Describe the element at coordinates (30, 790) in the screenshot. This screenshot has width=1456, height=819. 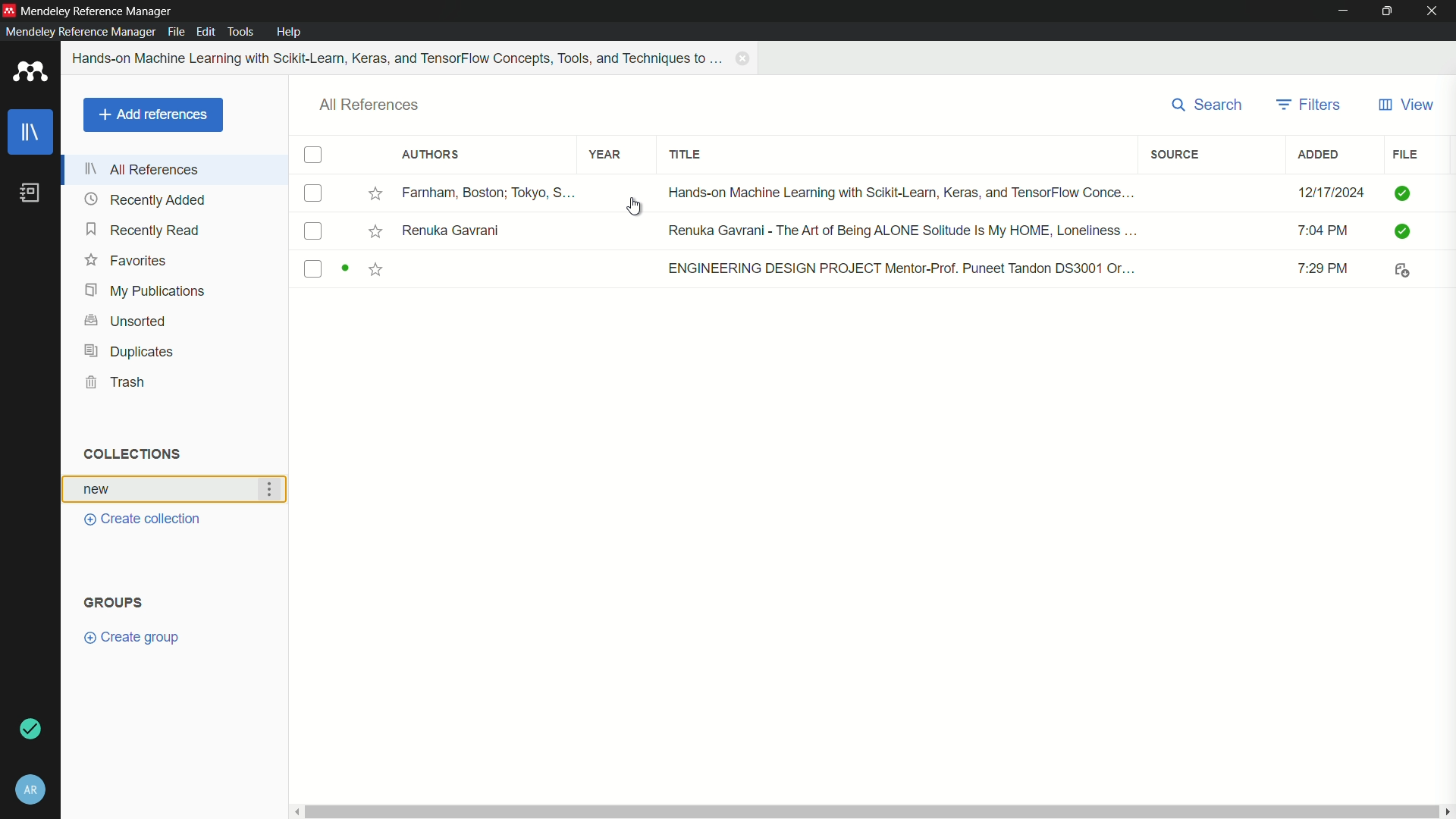
I see `account and settings` at that location.